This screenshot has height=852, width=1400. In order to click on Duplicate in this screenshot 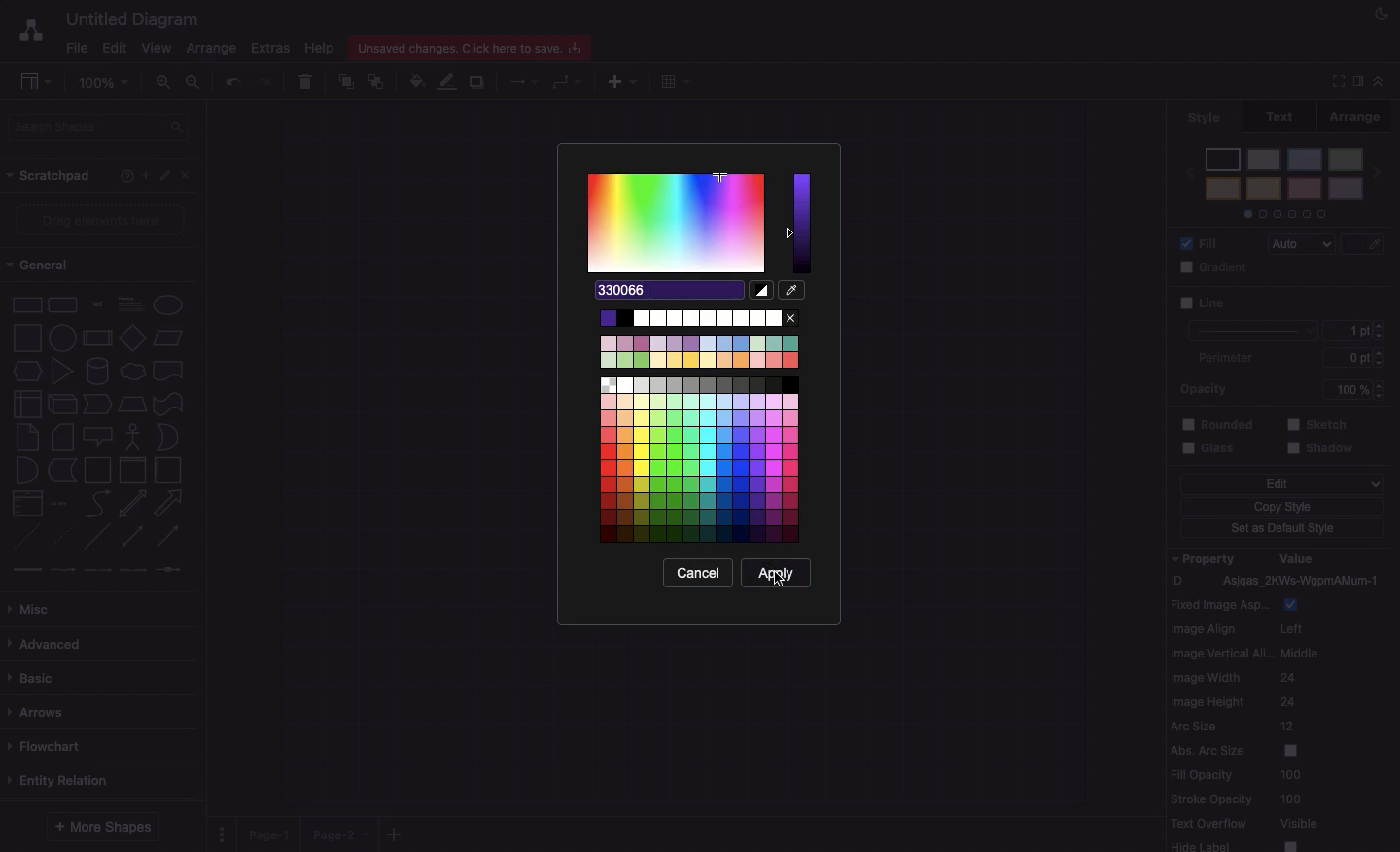, I will do `click(479, 79)`.